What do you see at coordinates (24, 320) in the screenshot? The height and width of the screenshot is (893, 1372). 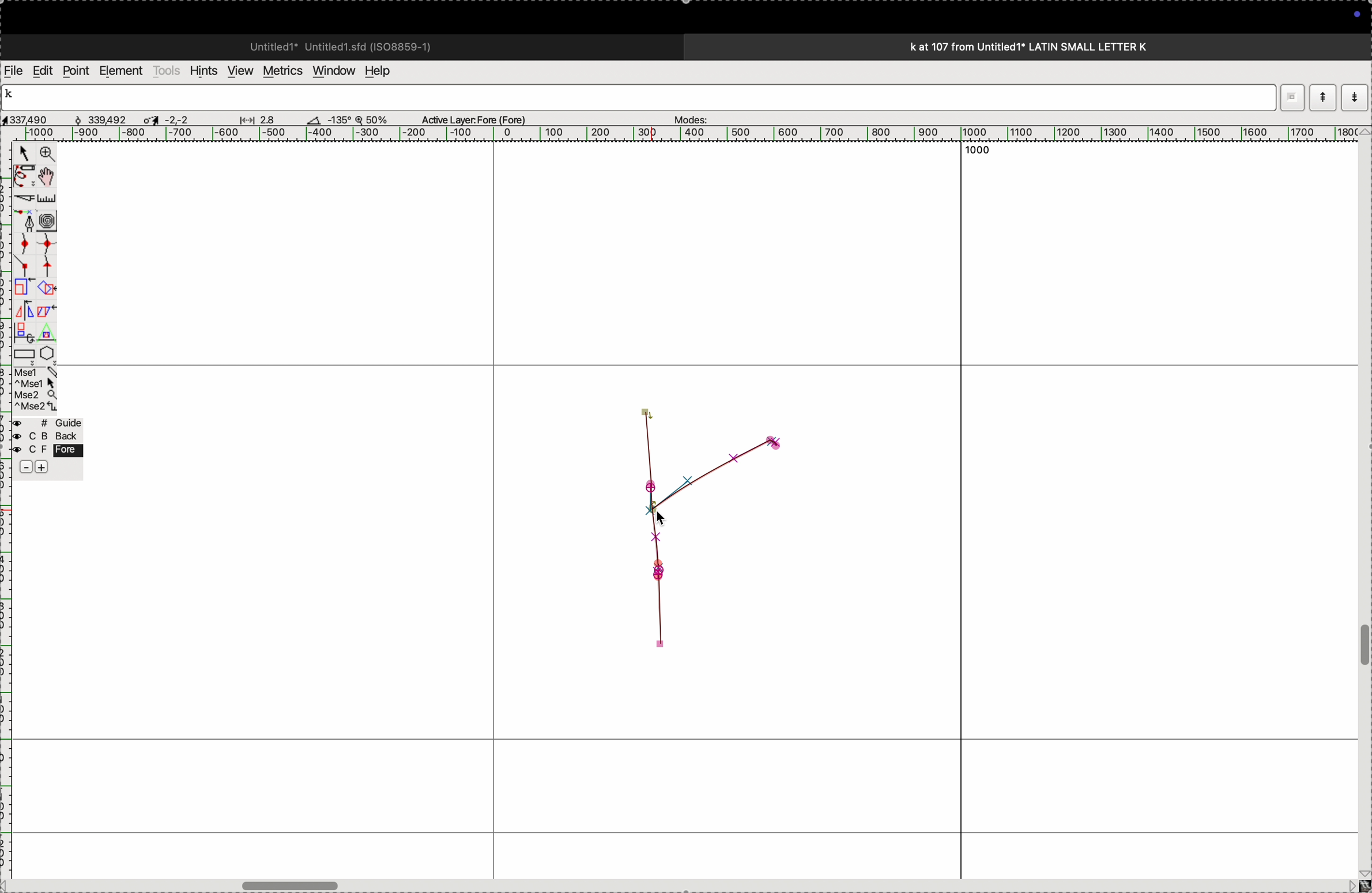 I see `mirror` at bounding box center [24, 320].